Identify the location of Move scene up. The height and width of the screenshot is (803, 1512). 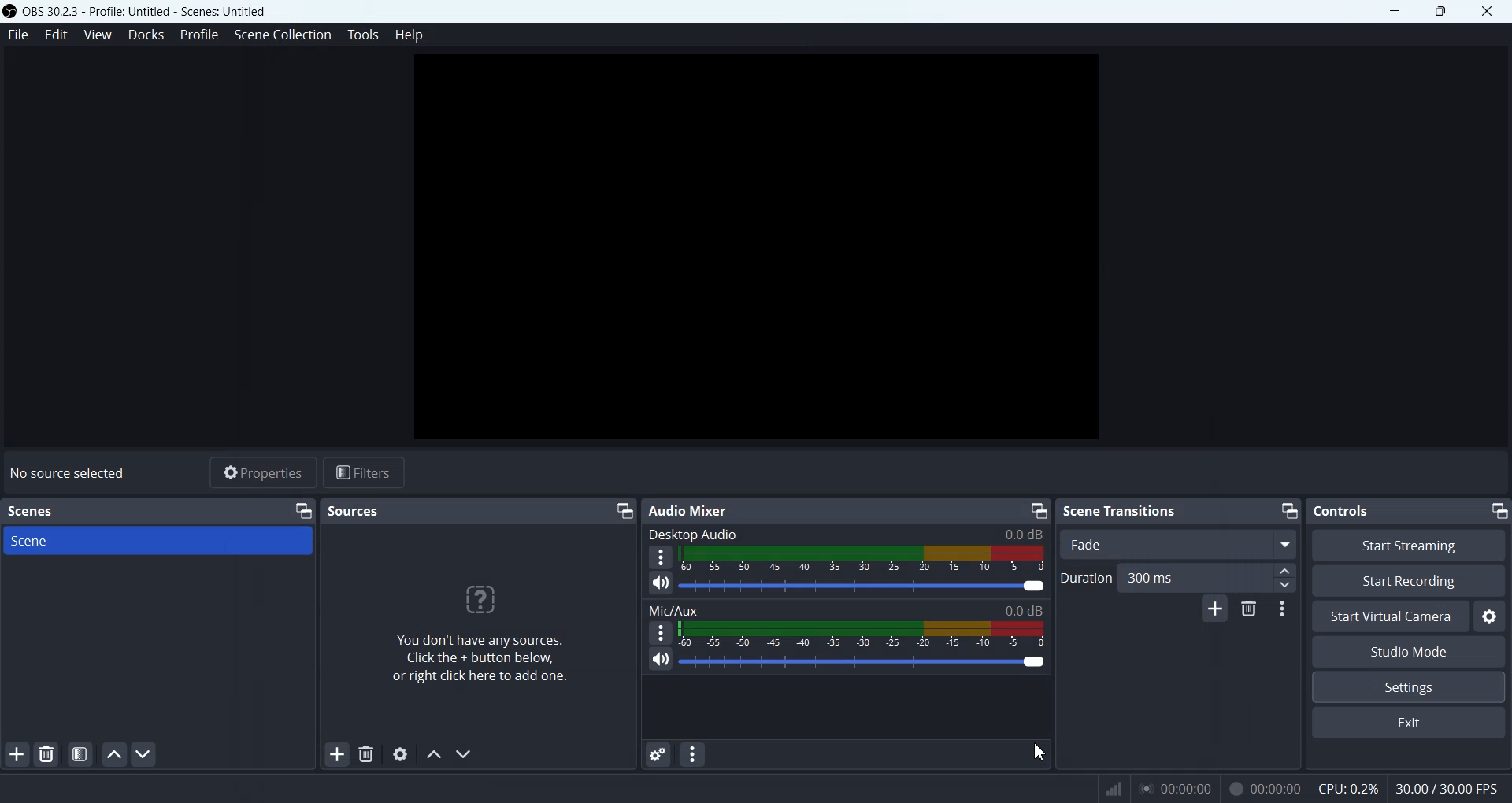
(113, 754).